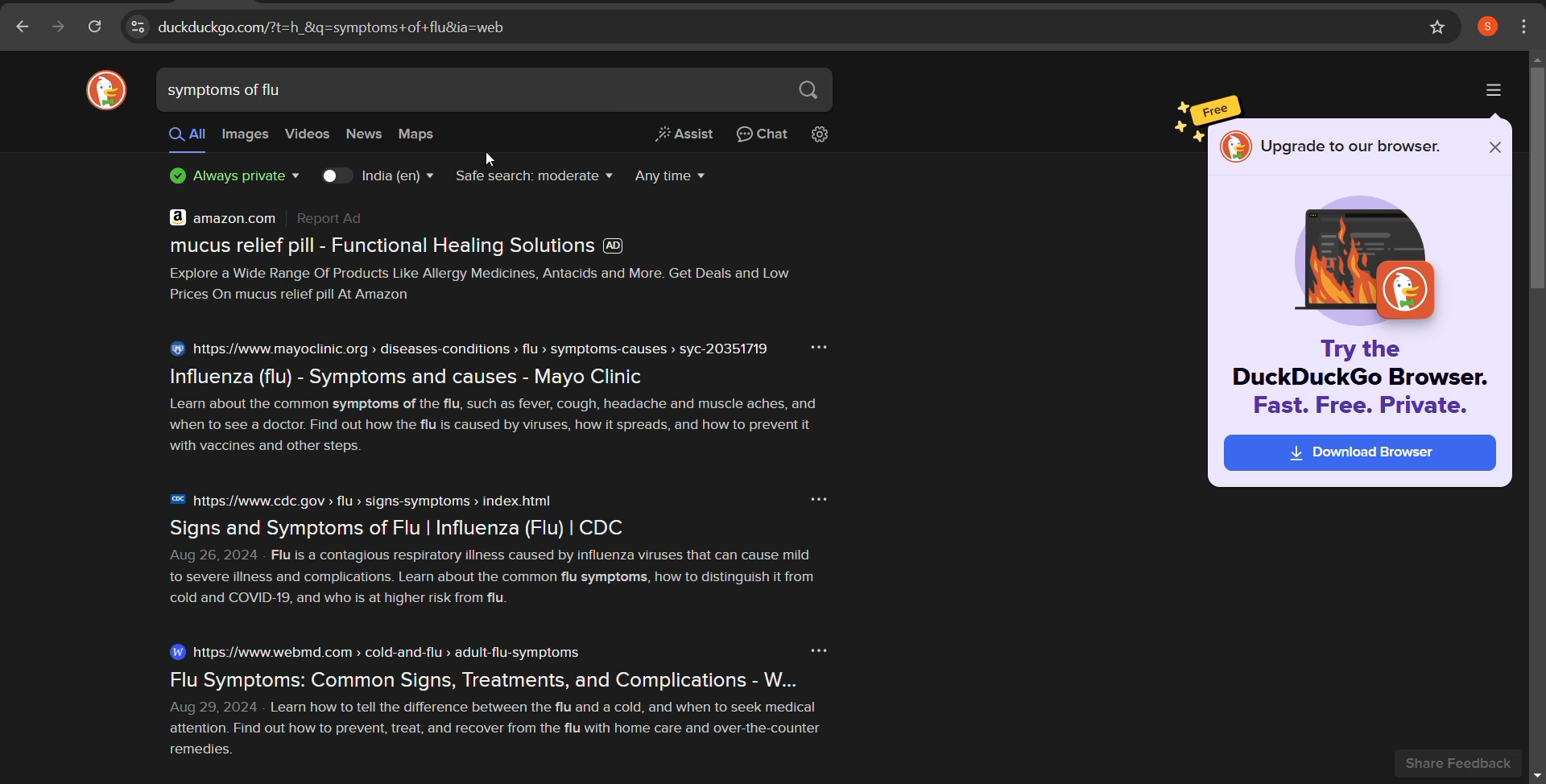  Describe the element at coordinates (490, 287) in the screenshot. I see `Explore a Wide Range Of Products Like Allergy Medicines, Antacids and More. Get Deals and Low prices On mucus relief pill At Amazon` at that location.